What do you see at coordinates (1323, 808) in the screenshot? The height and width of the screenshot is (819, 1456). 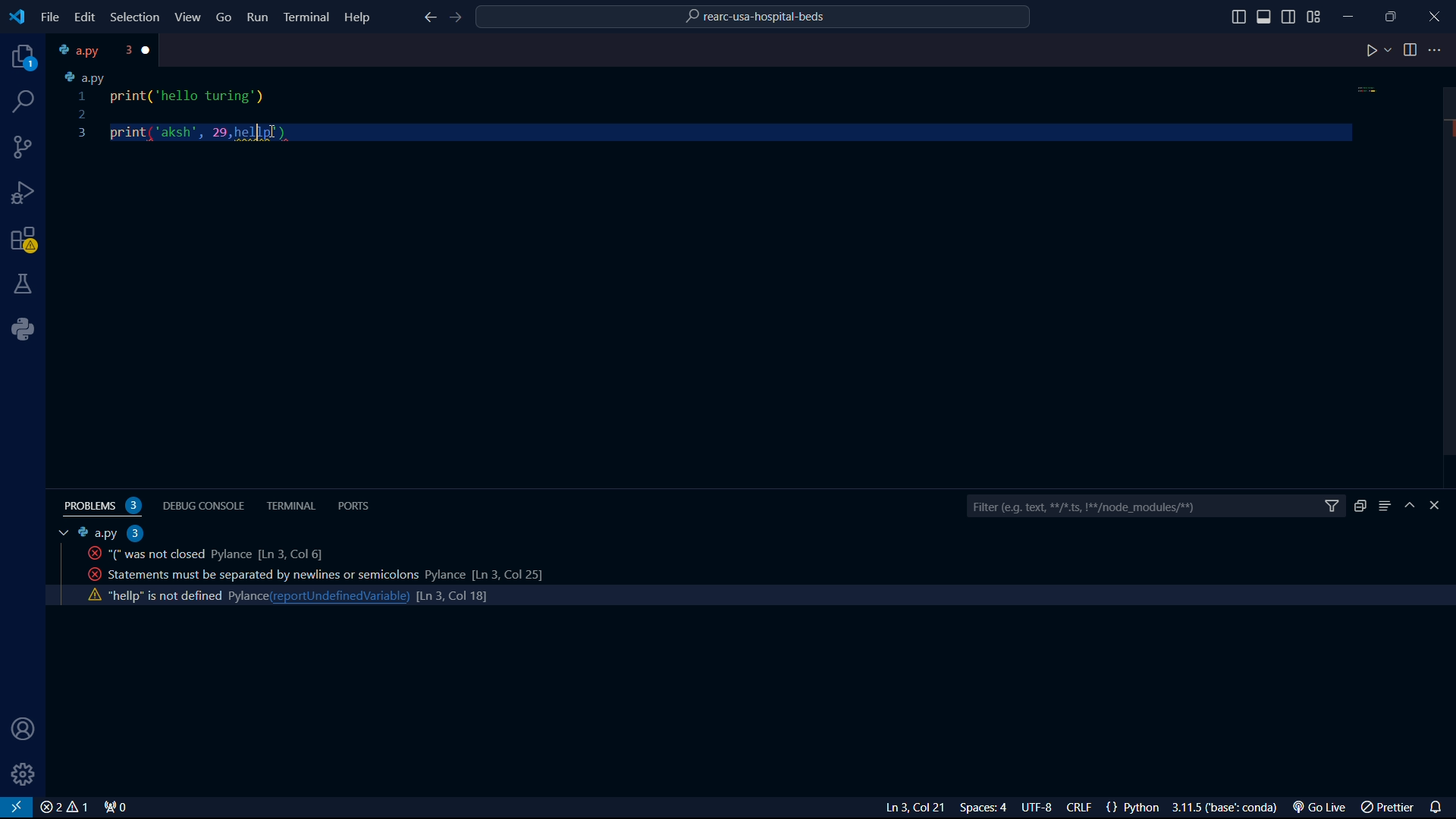 I see `Go Live` at bounding box center [1323, 808].